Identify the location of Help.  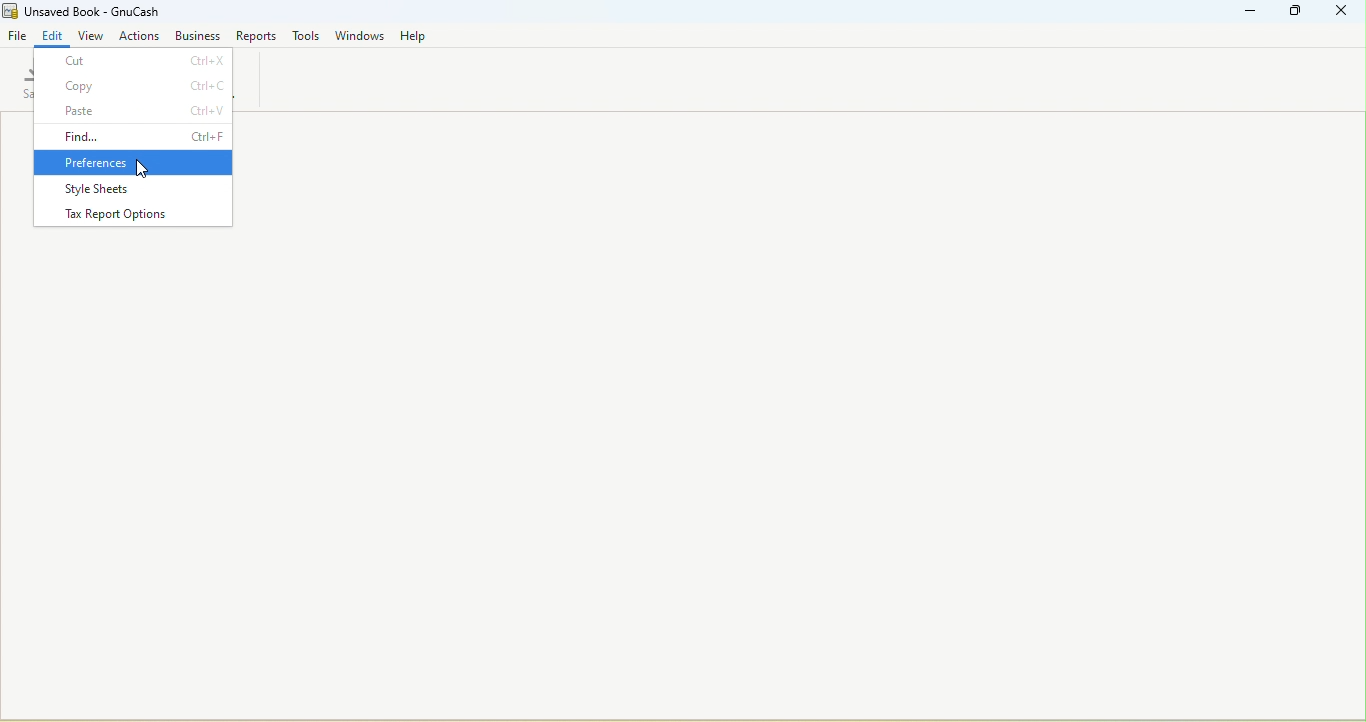
(414, 35).